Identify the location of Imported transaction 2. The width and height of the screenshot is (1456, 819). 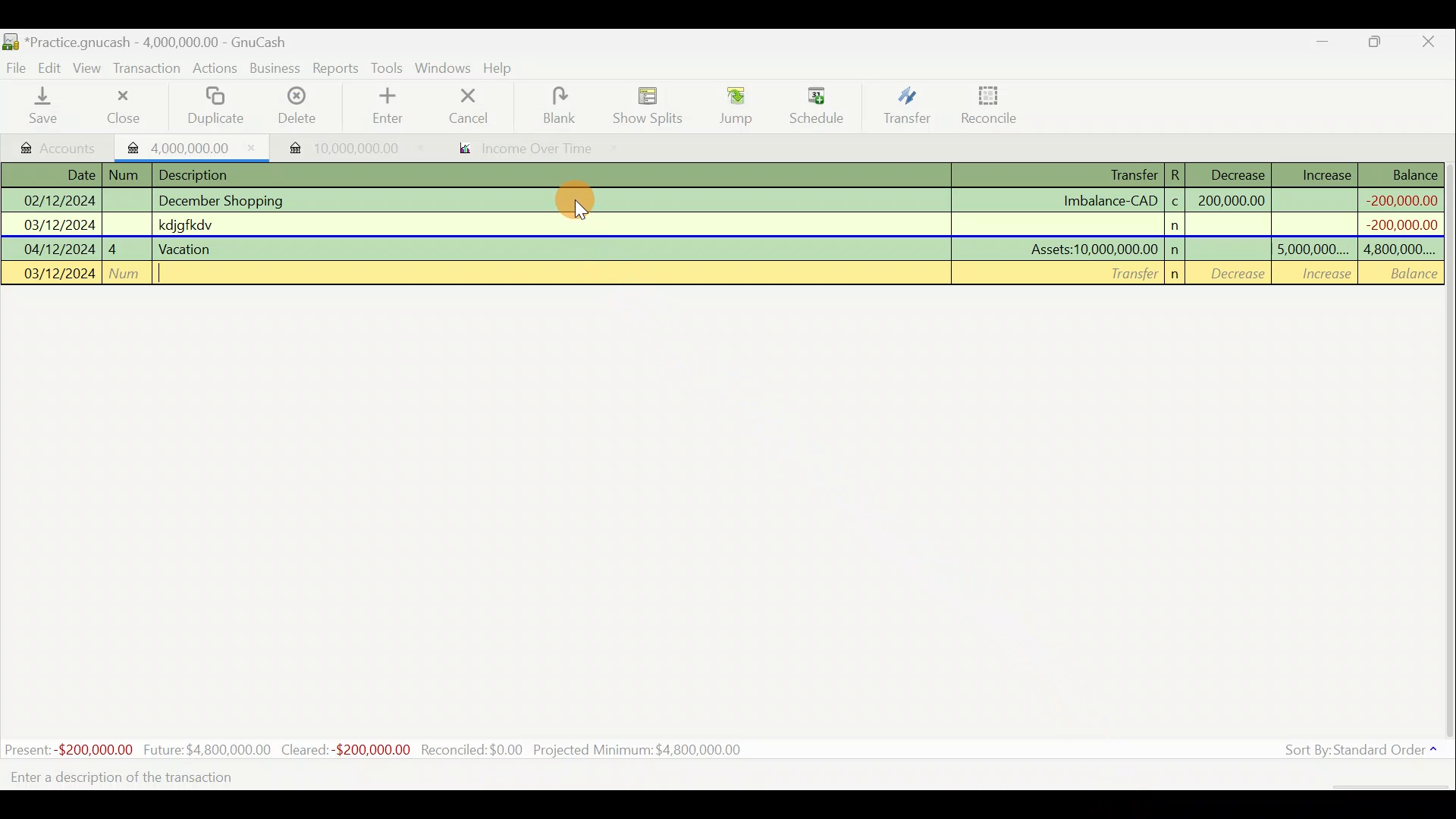
(339, 148).